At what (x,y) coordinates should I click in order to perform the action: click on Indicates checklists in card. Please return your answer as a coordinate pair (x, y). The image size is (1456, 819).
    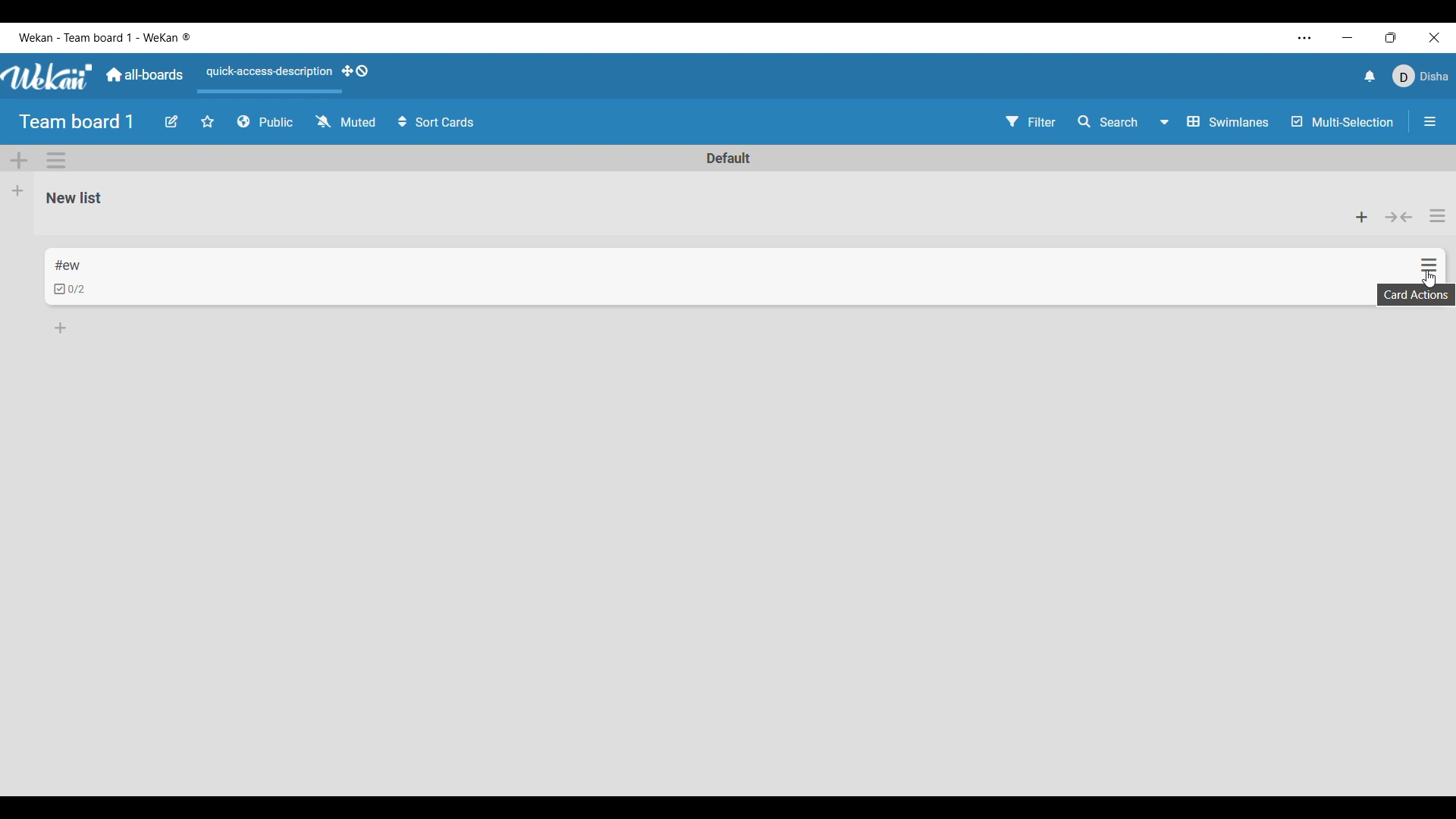
    Looking at the image, I should click on (70, 289).